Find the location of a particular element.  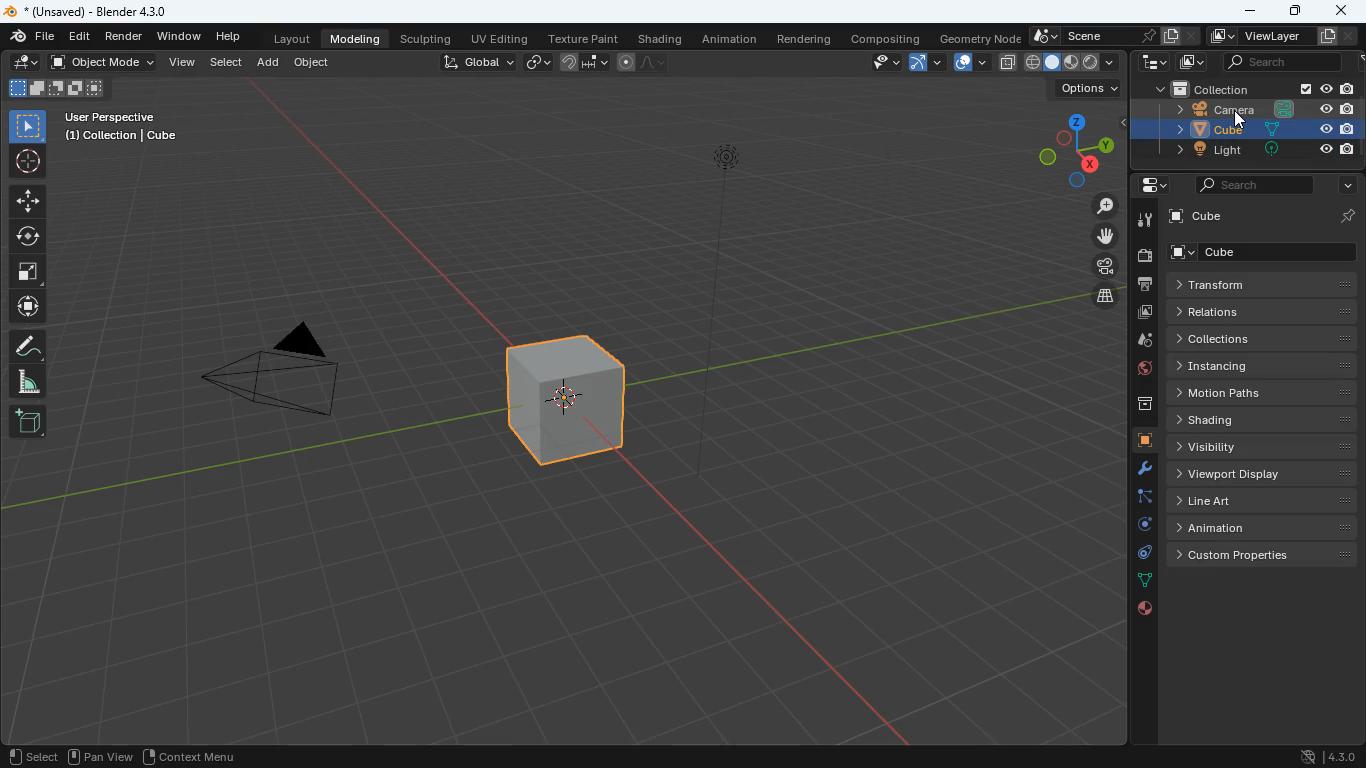

tech is located at coordinates (1152, 63).